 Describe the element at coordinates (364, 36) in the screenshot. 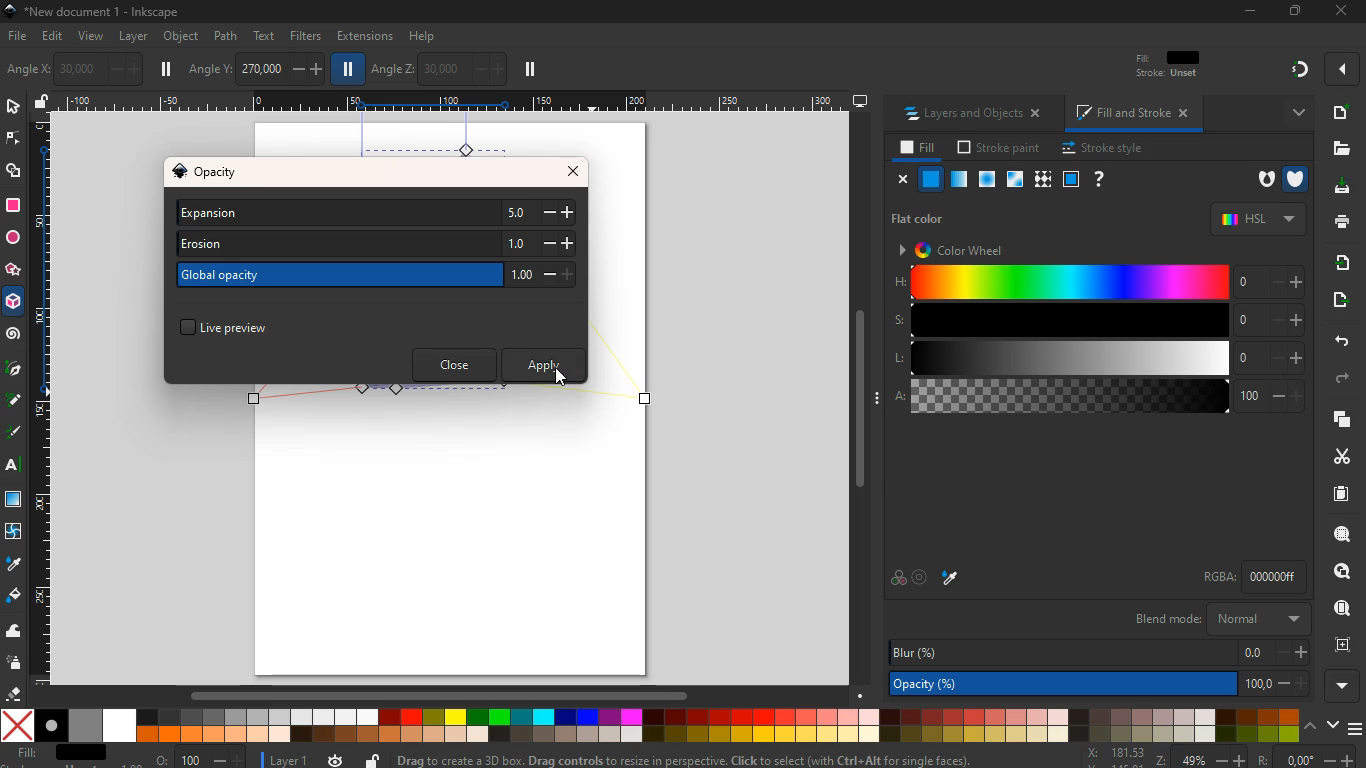

I see `extensions` at that location.